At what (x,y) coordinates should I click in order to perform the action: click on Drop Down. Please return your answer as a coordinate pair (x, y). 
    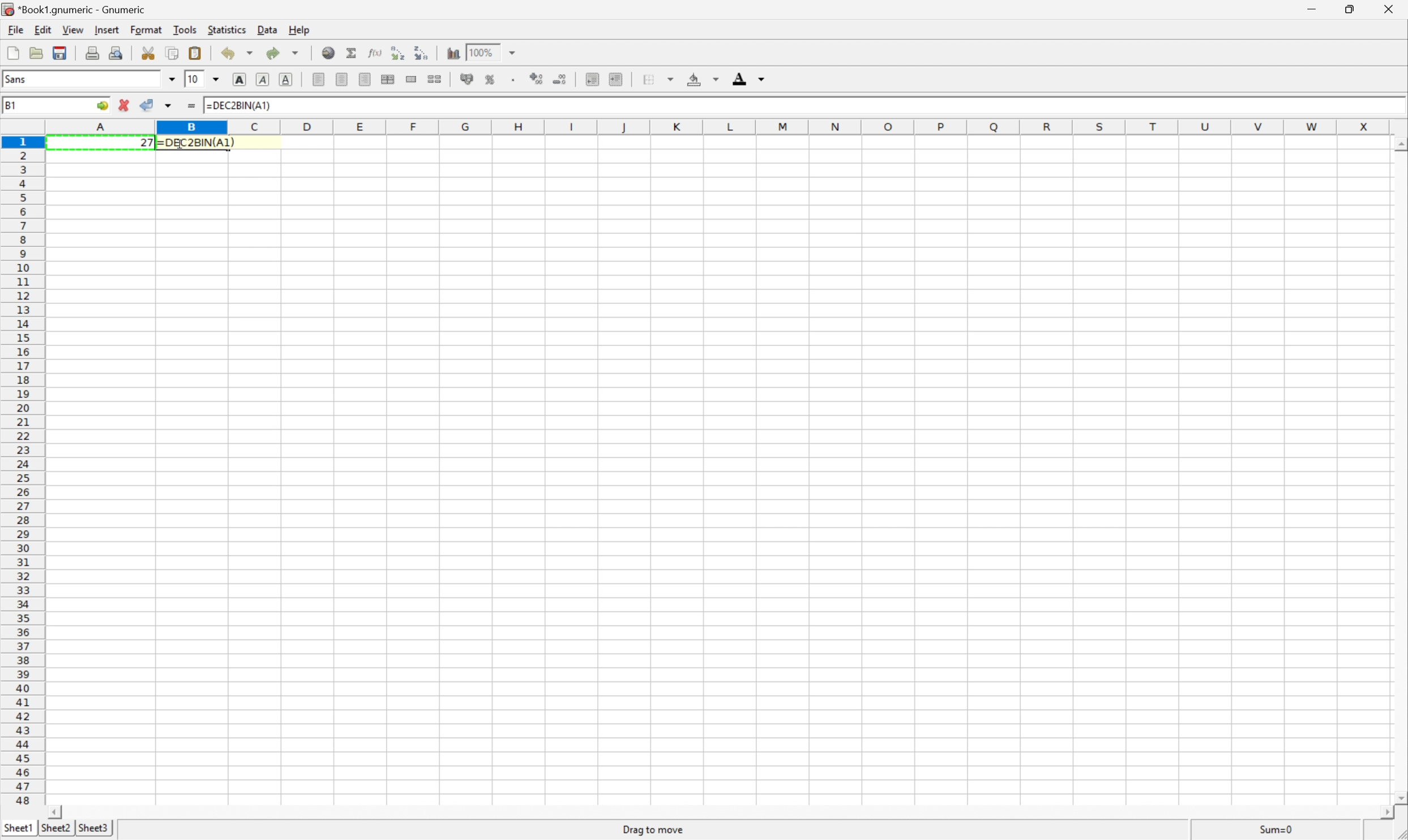
    Looking at the image, I should click on (173, 80).